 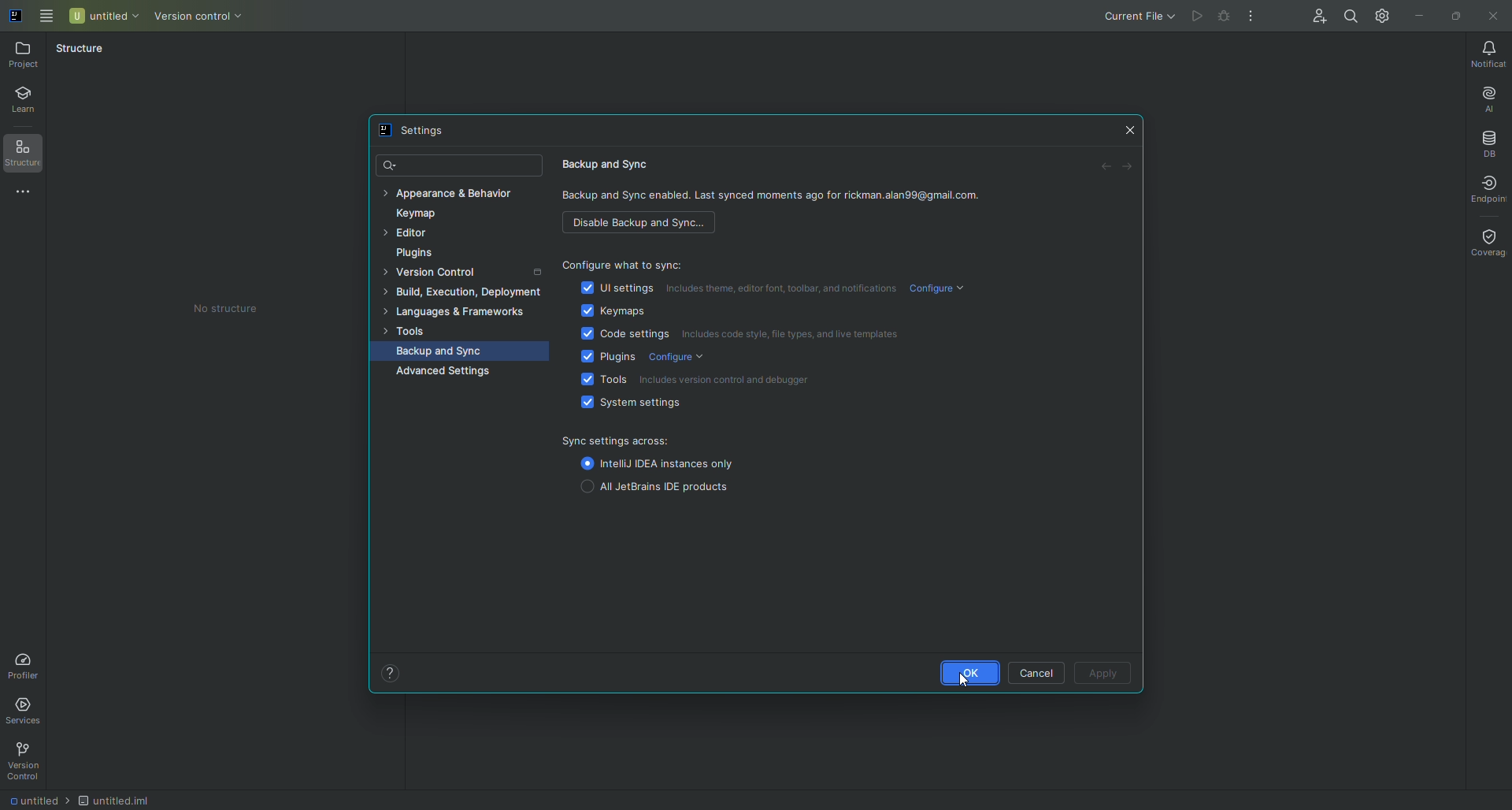 What do you see at coordinates (391, 165) in the screenshot?
I see `Search` at bounding box center [391, 165].